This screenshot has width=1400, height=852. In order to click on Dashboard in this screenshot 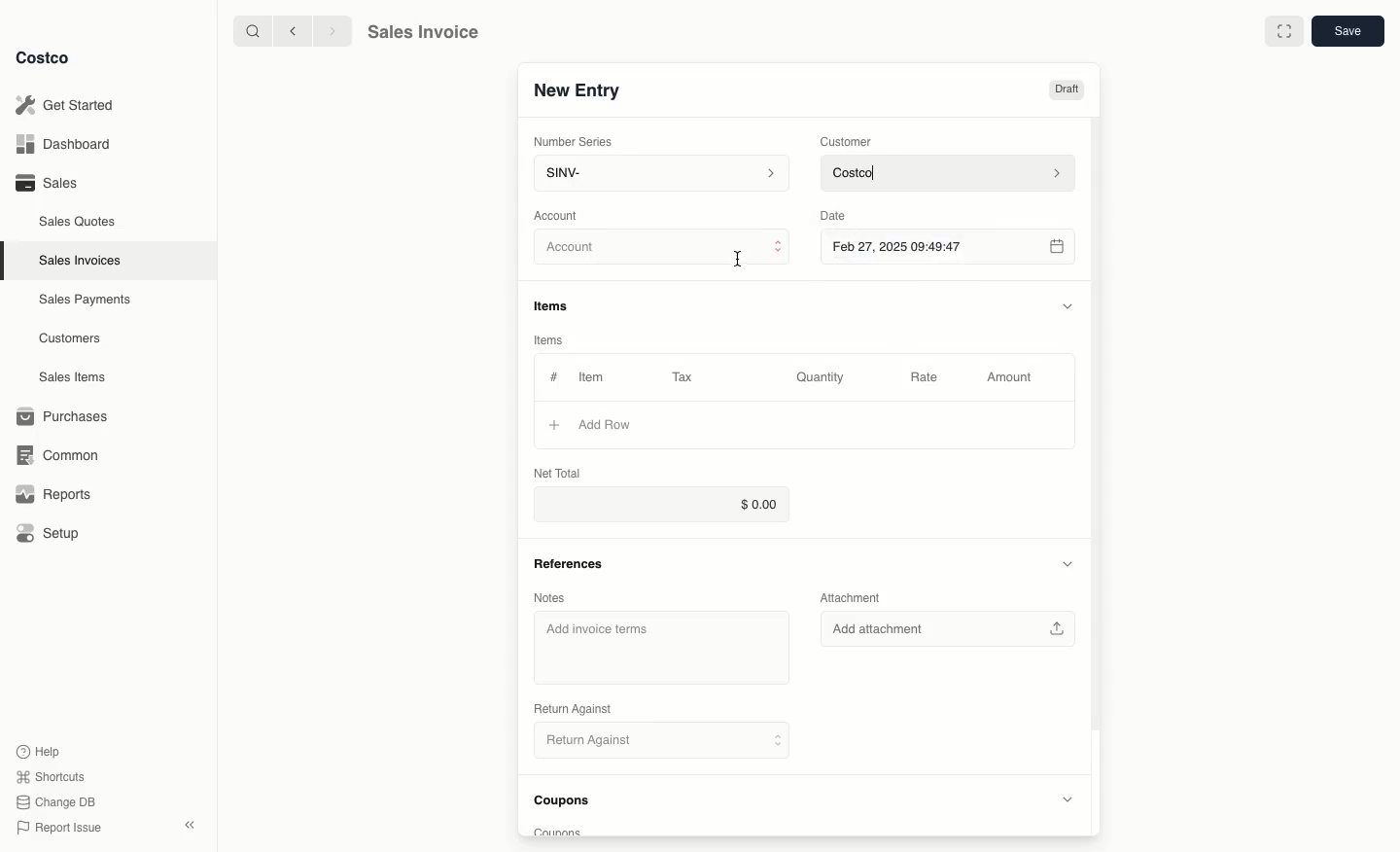, I will do `click(68, 145)`.